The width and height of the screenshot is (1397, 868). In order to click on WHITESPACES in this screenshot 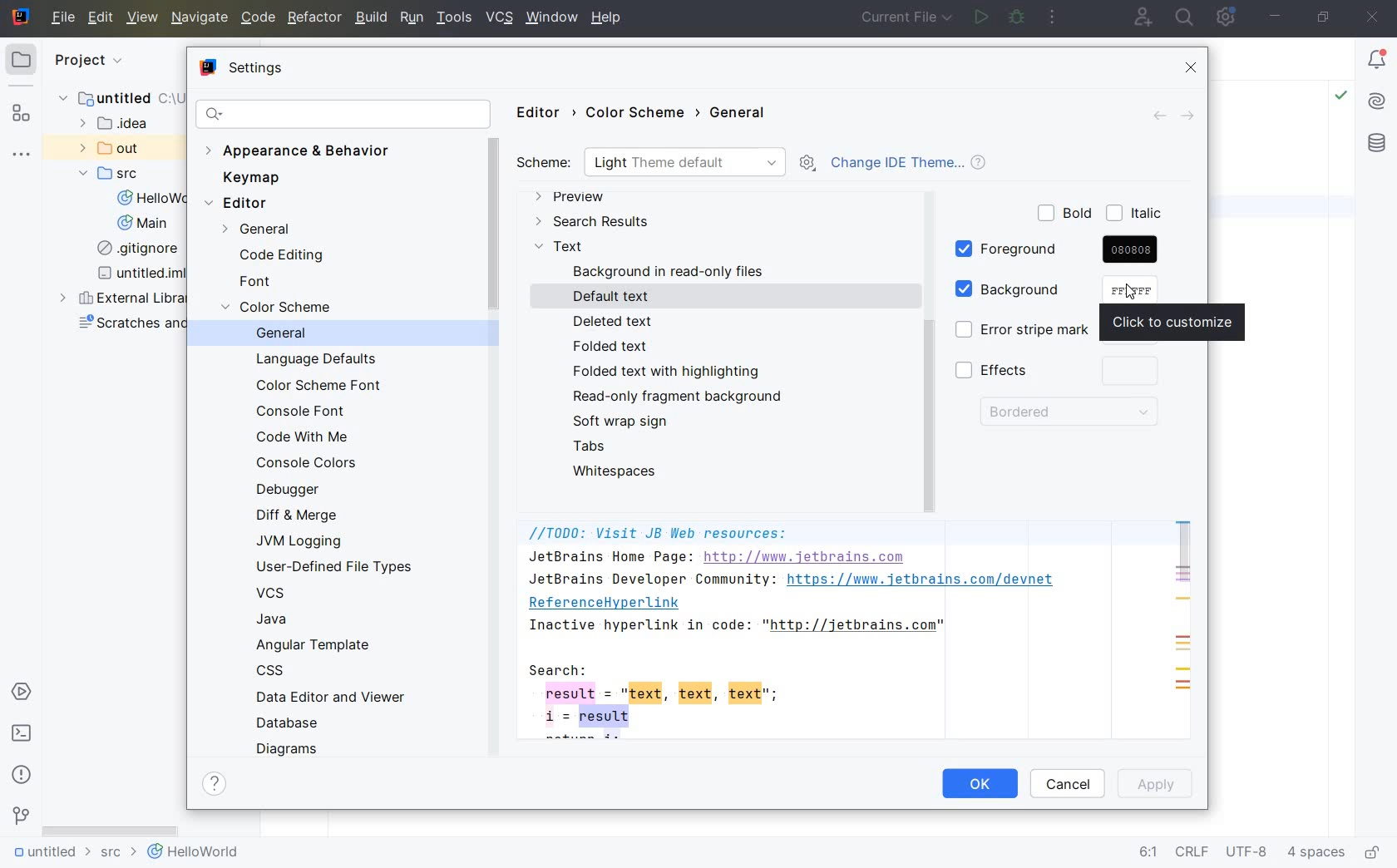, I will do `click(619, 471)`.